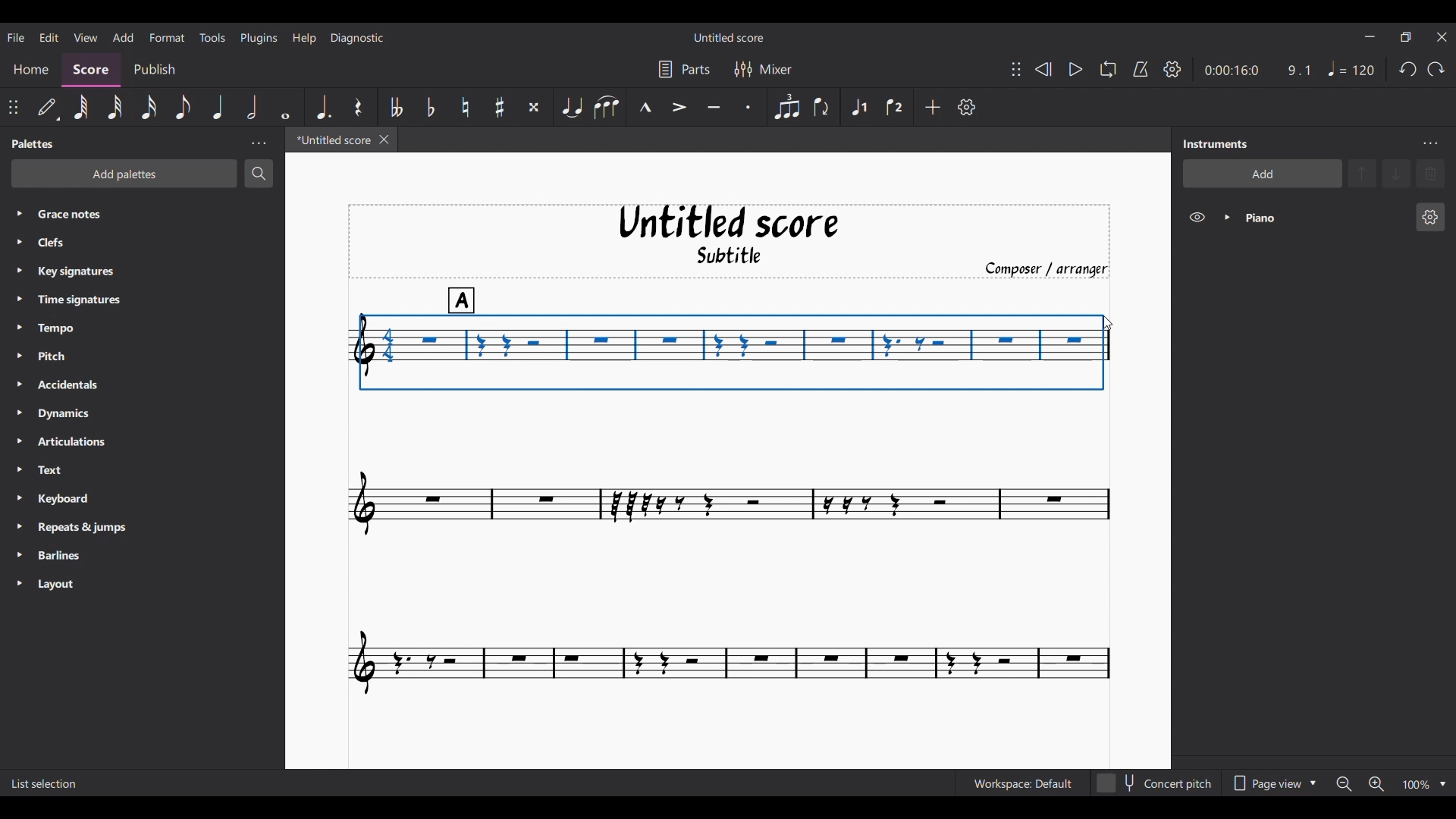 This screenshot has height=819, width=1456. What do you see at coordinates (47, 106) in the screenshot?
I see `Default` at bounding box center [47, 106].